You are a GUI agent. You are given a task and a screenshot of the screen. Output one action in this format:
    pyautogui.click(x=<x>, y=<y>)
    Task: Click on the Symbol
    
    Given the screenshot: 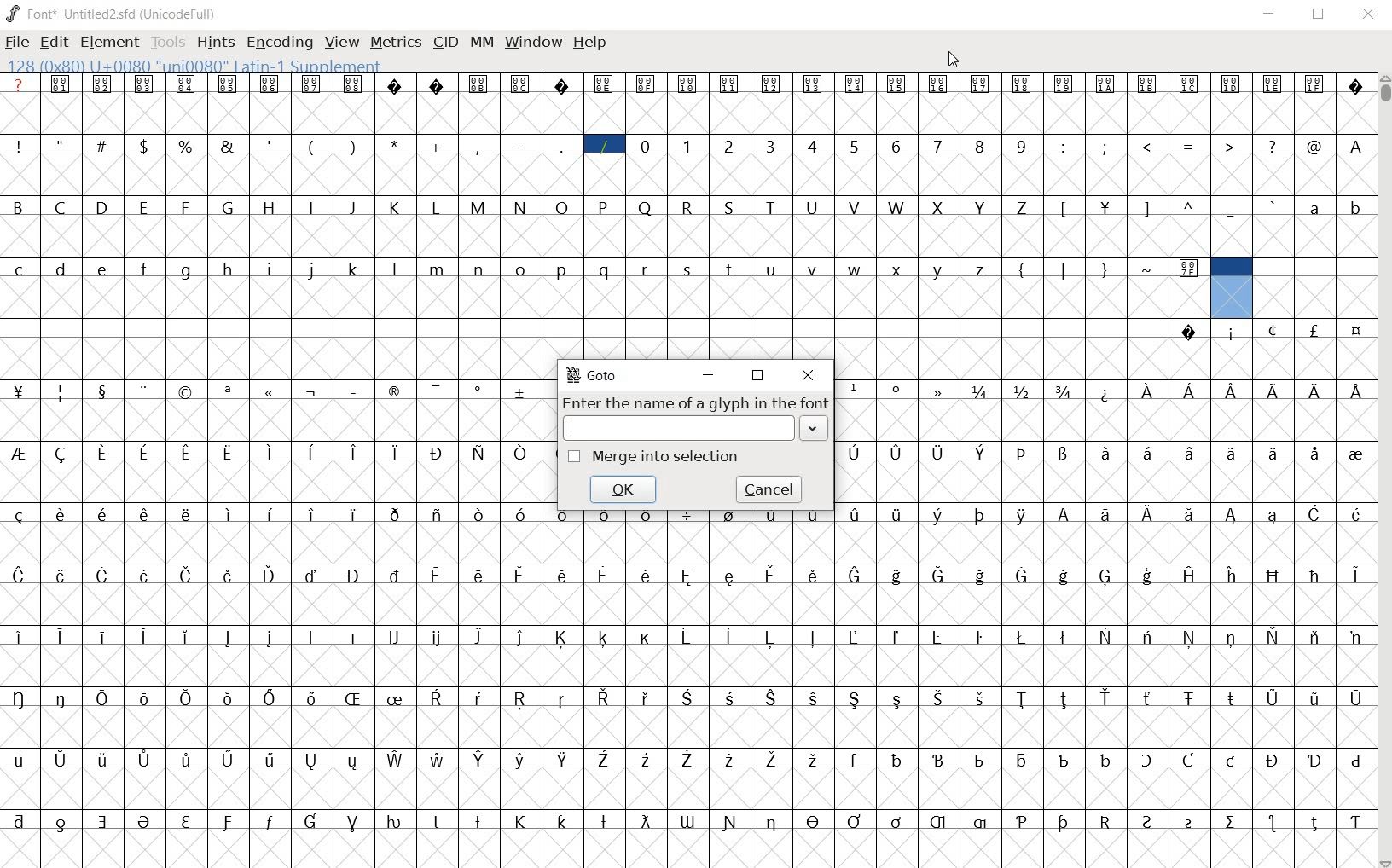 What is the action you would take?
    pyautogui.click(x=524, y=819)
    